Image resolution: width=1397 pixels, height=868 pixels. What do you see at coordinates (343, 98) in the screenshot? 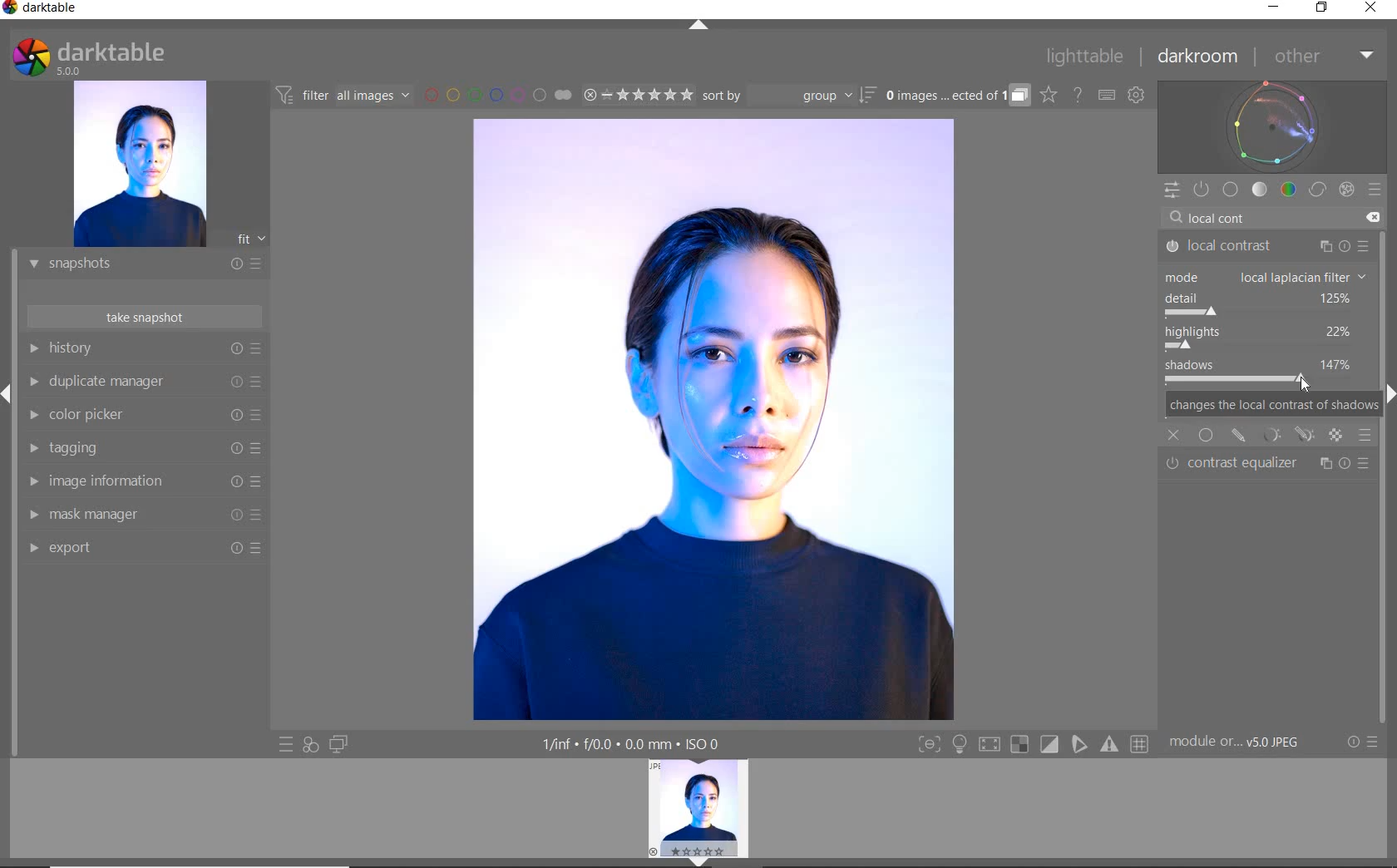
I see `FILTER IMAGES BASED ON THEIR MODULE ORDER` at bounding box center [343, 98].